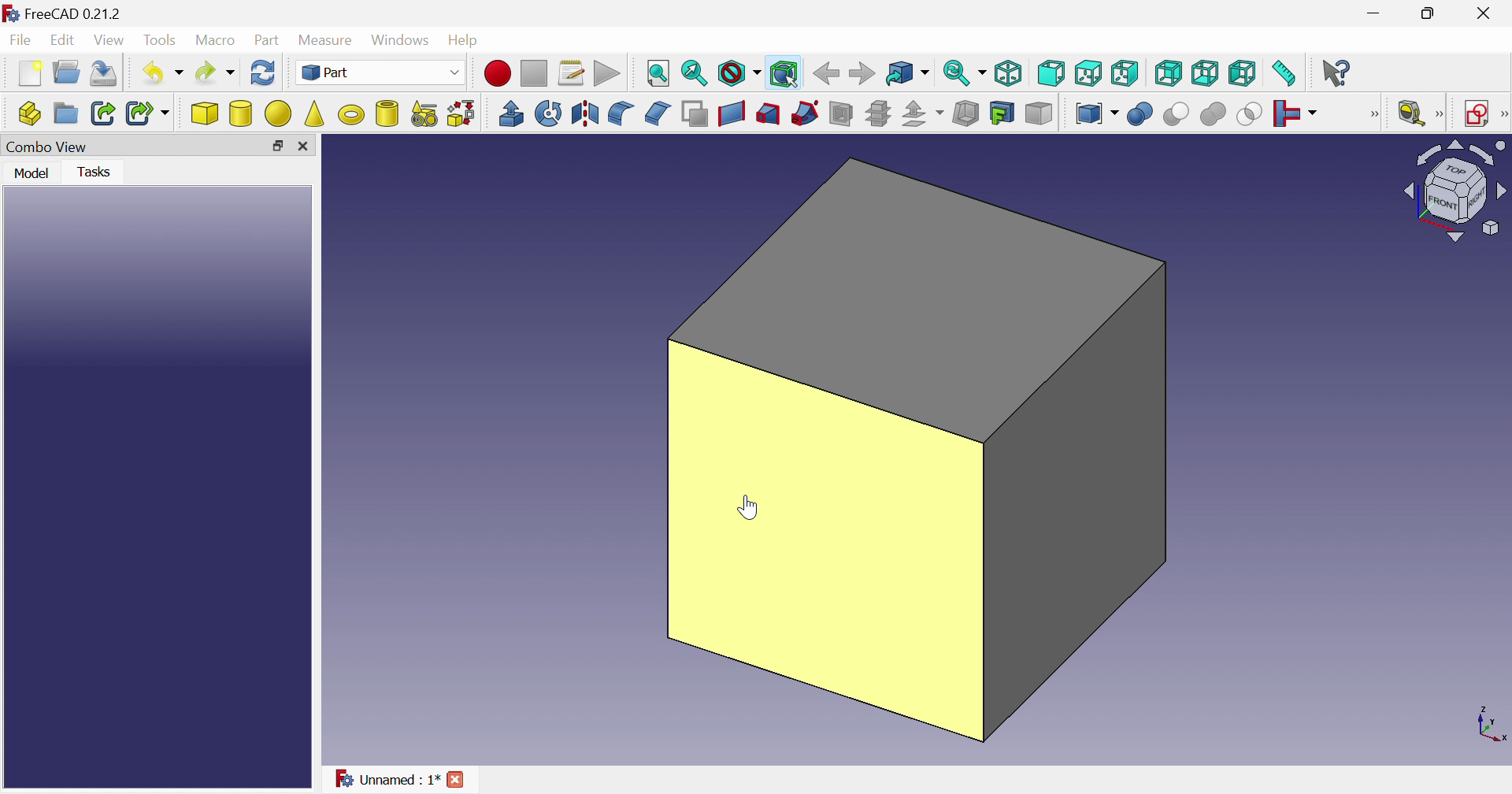  What do you see at coordinates (205, 113) in the screenshot?
I see `Cube` at bounding box center [205, 113].